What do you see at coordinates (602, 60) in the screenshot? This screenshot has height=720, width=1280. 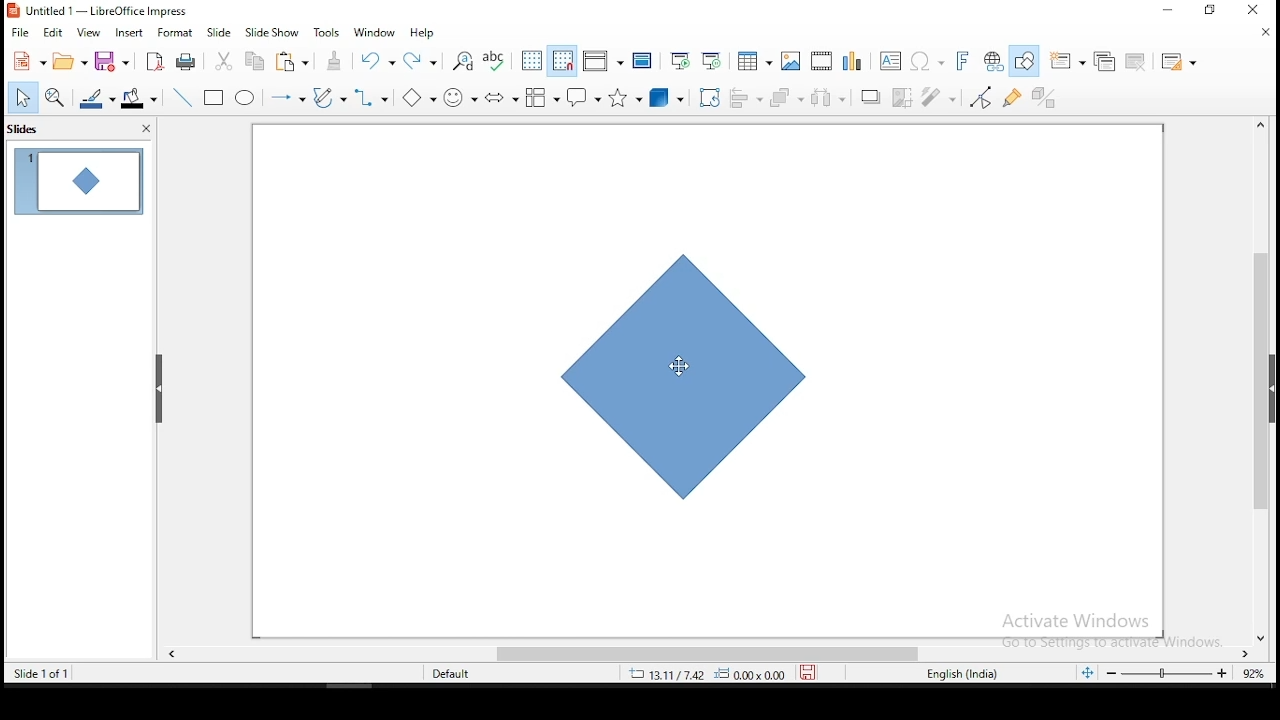 I see `display views` at bounding box center [602, 60].